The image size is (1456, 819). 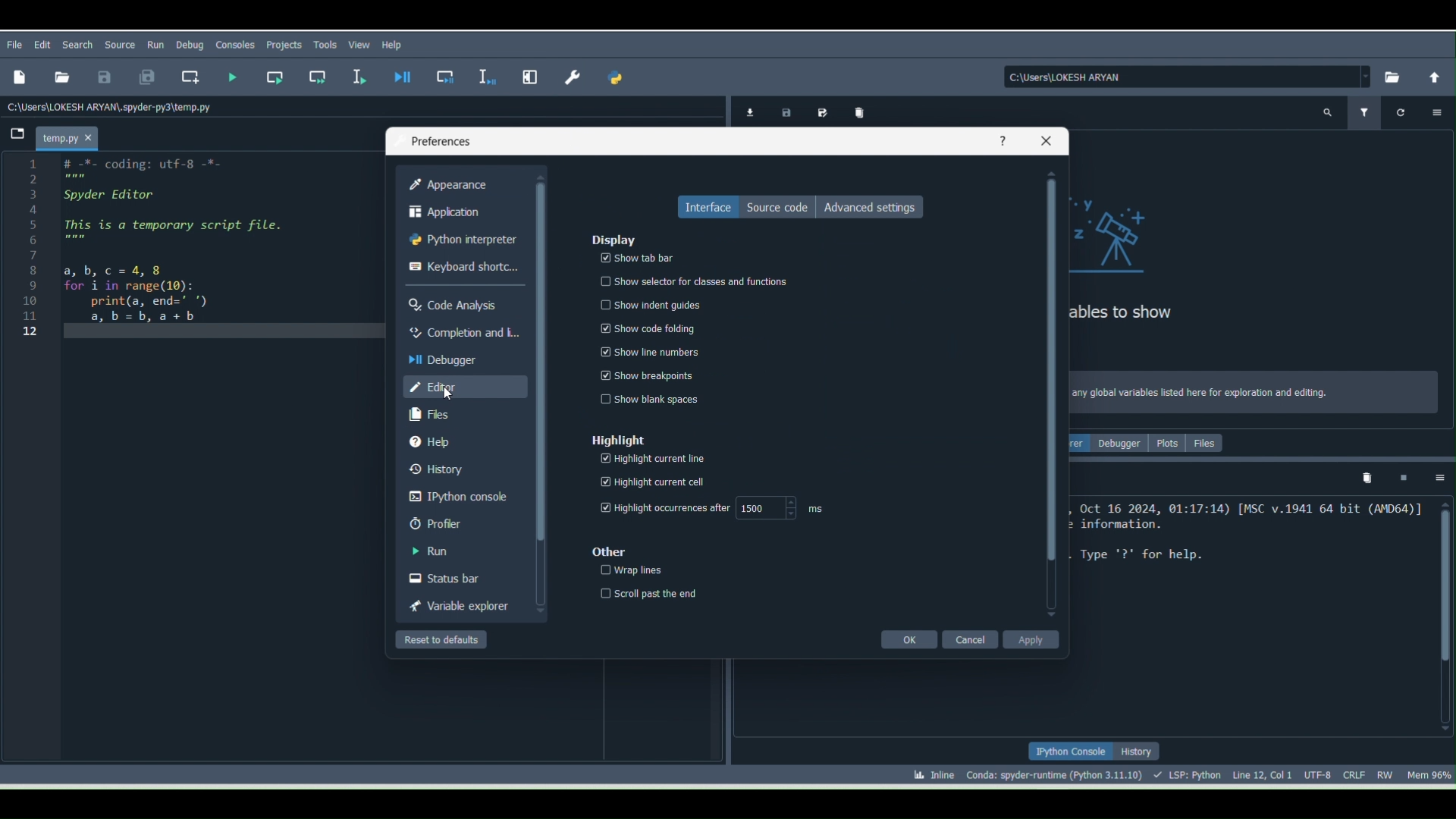 What do you see at coordinates (318, 76) in the screenshot?
I see `Run current cell and go to the next on (Shift + Return)` at bounding box center [318, 76].